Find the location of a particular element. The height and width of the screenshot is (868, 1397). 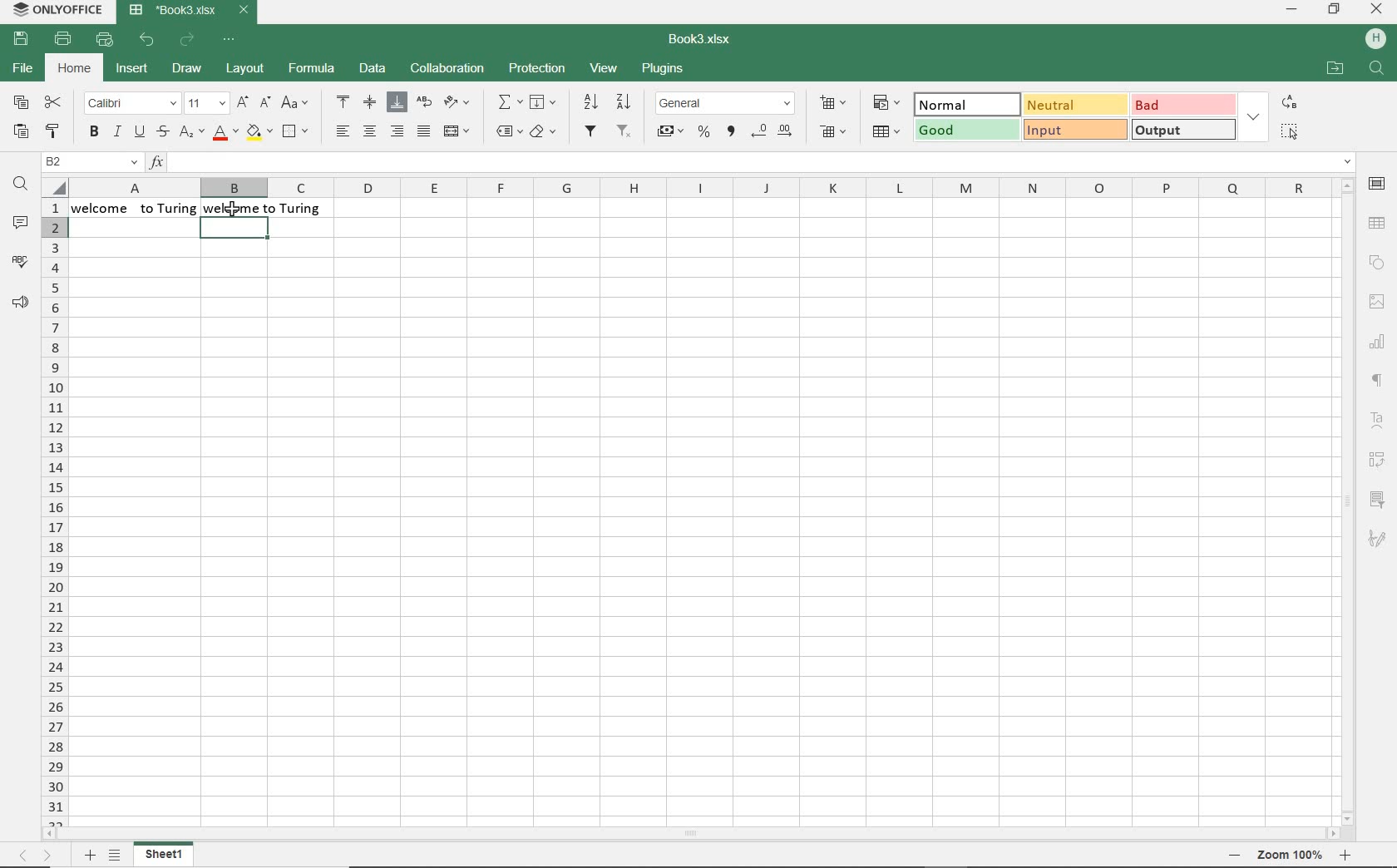

decrement font size is located at coordinates (264, 102).